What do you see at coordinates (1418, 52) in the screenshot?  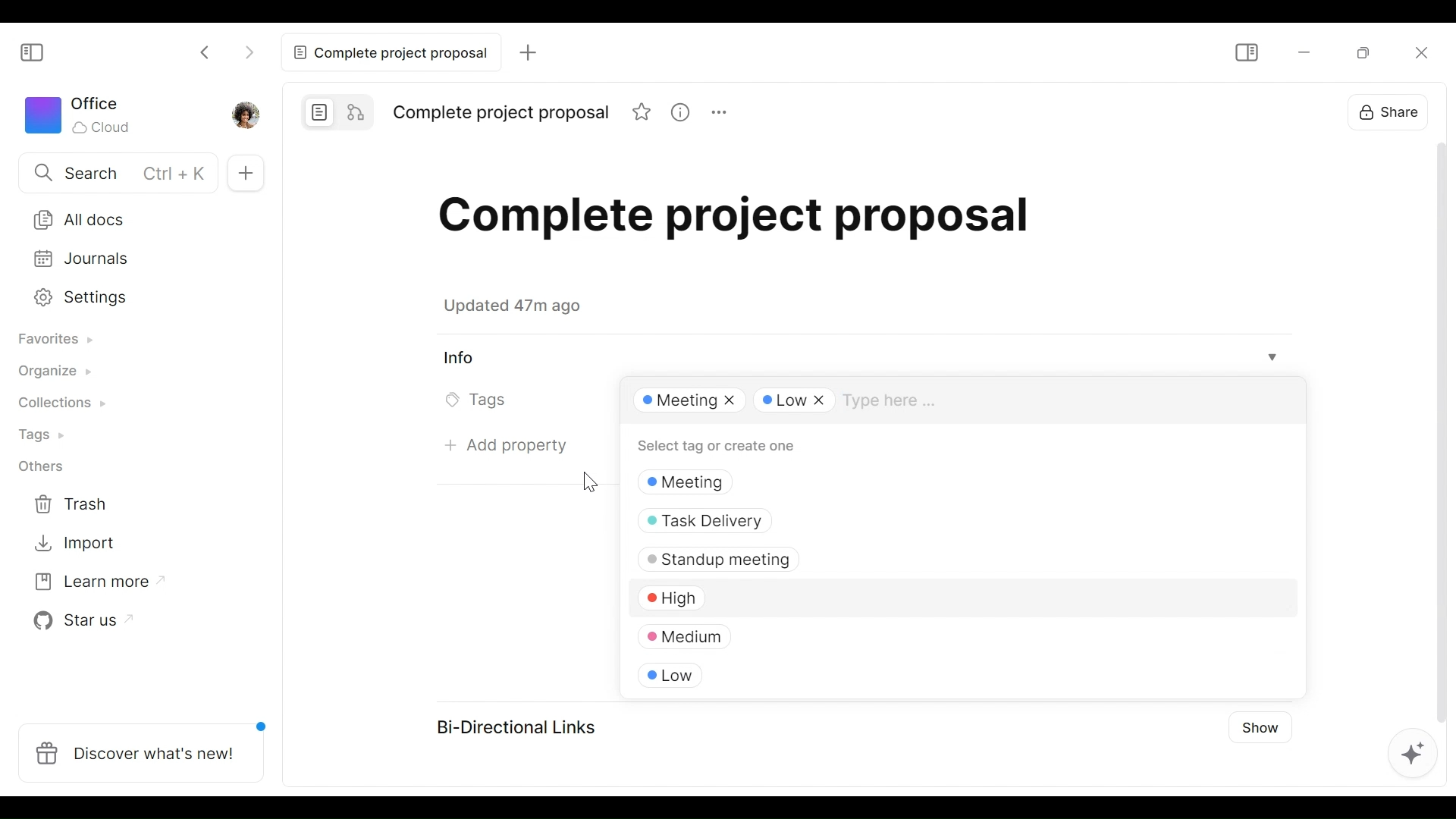 I see `Close` at bounding box center [1418, 52].